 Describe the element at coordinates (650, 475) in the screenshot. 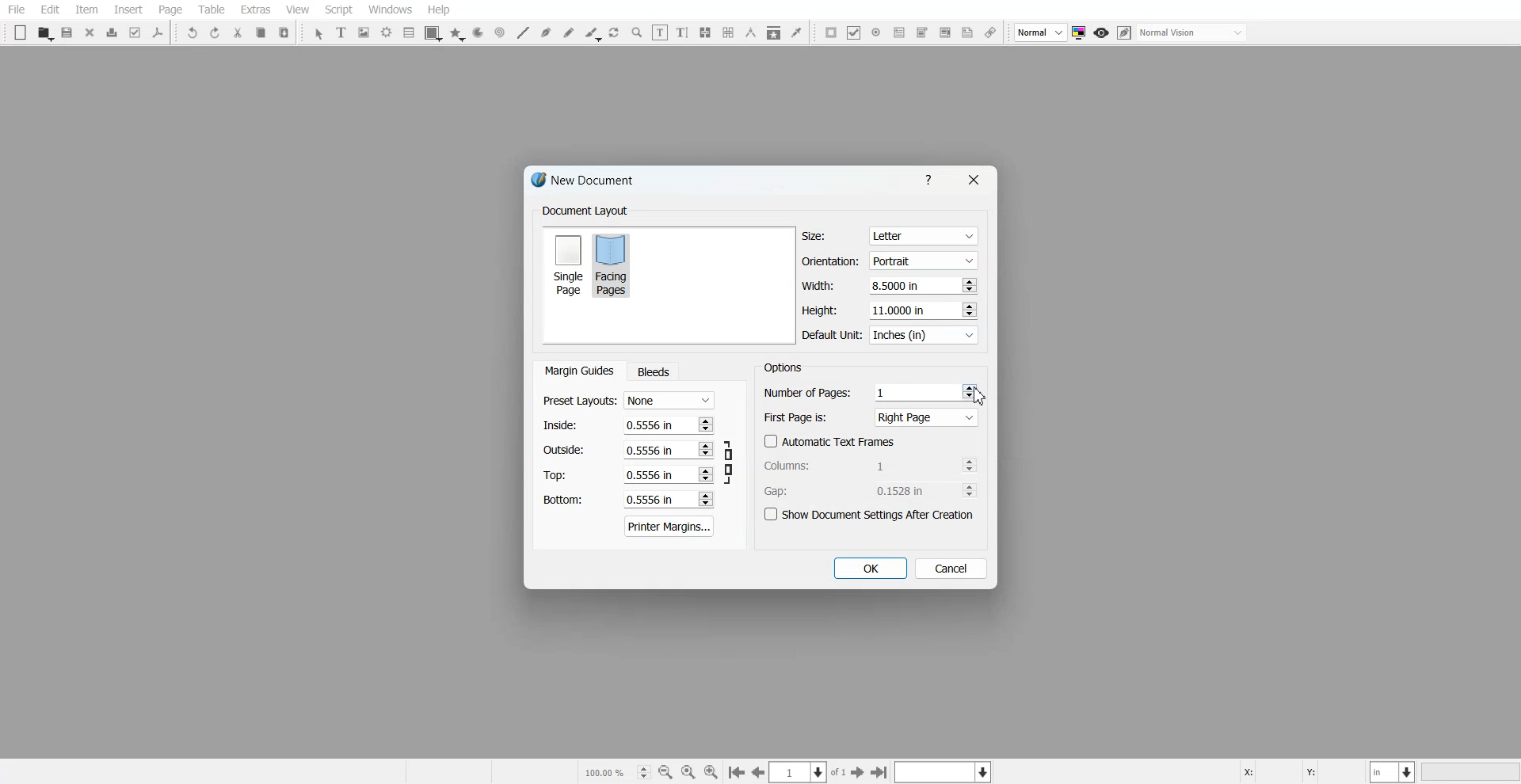

I see `0.5556 in` at that location.